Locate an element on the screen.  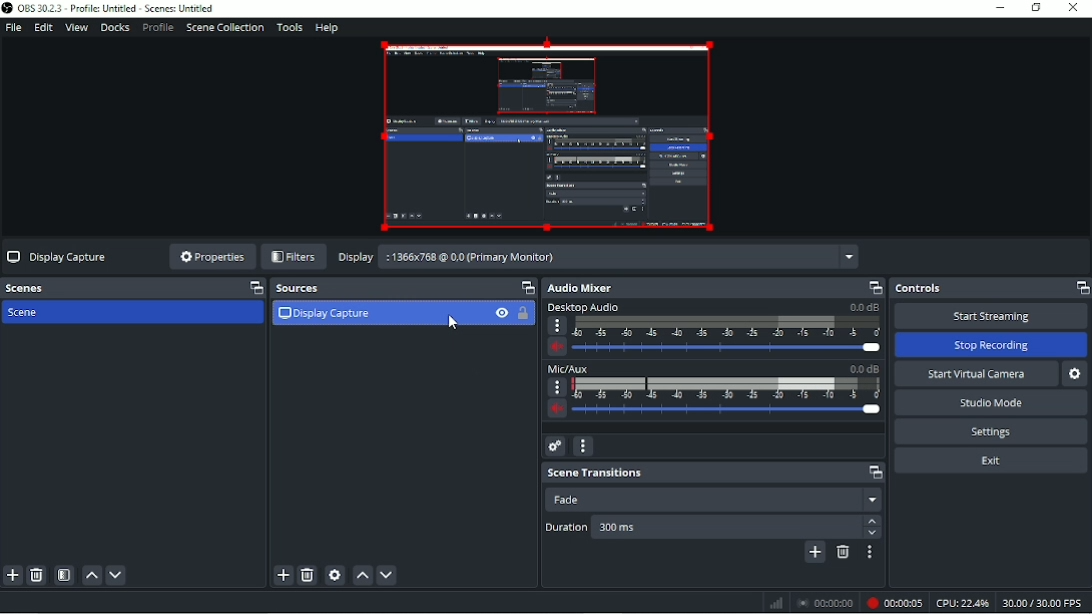
Stop recording is located at coordinates (991, 345).